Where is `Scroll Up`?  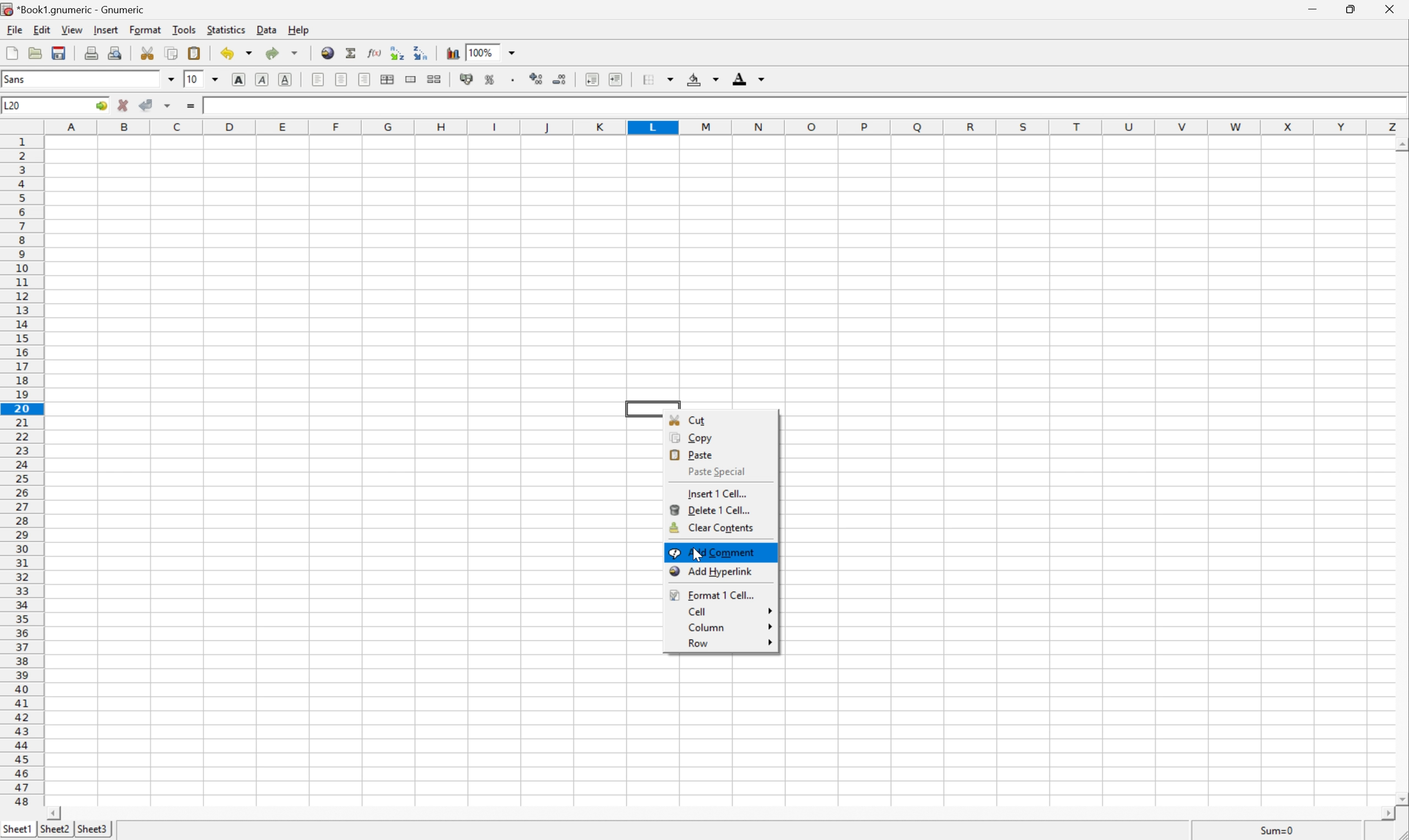
Scroll Up is located at coordinates (1400, 144).